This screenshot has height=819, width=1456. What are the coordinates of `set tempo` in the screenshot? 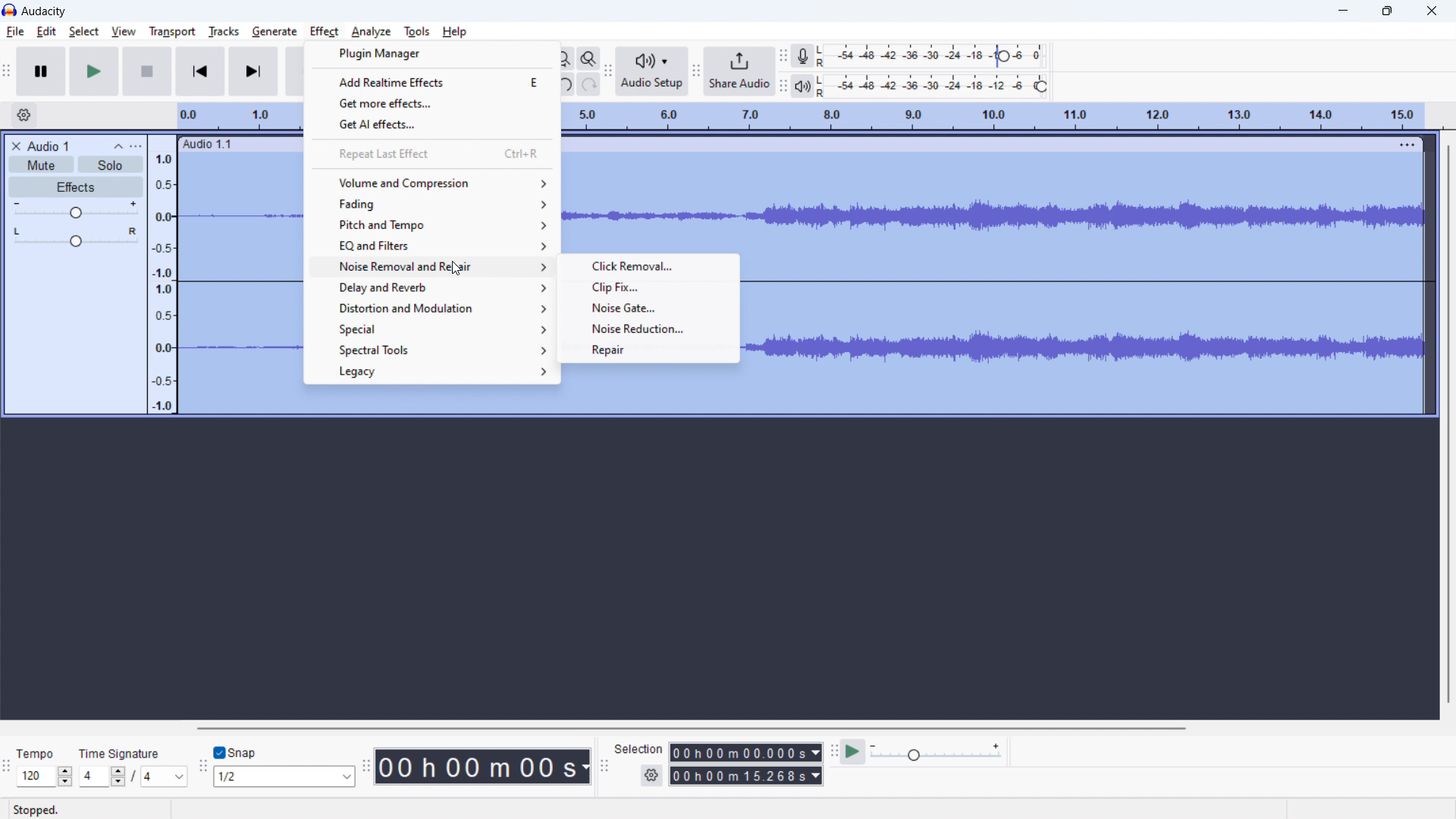 It's located at (45, 766).